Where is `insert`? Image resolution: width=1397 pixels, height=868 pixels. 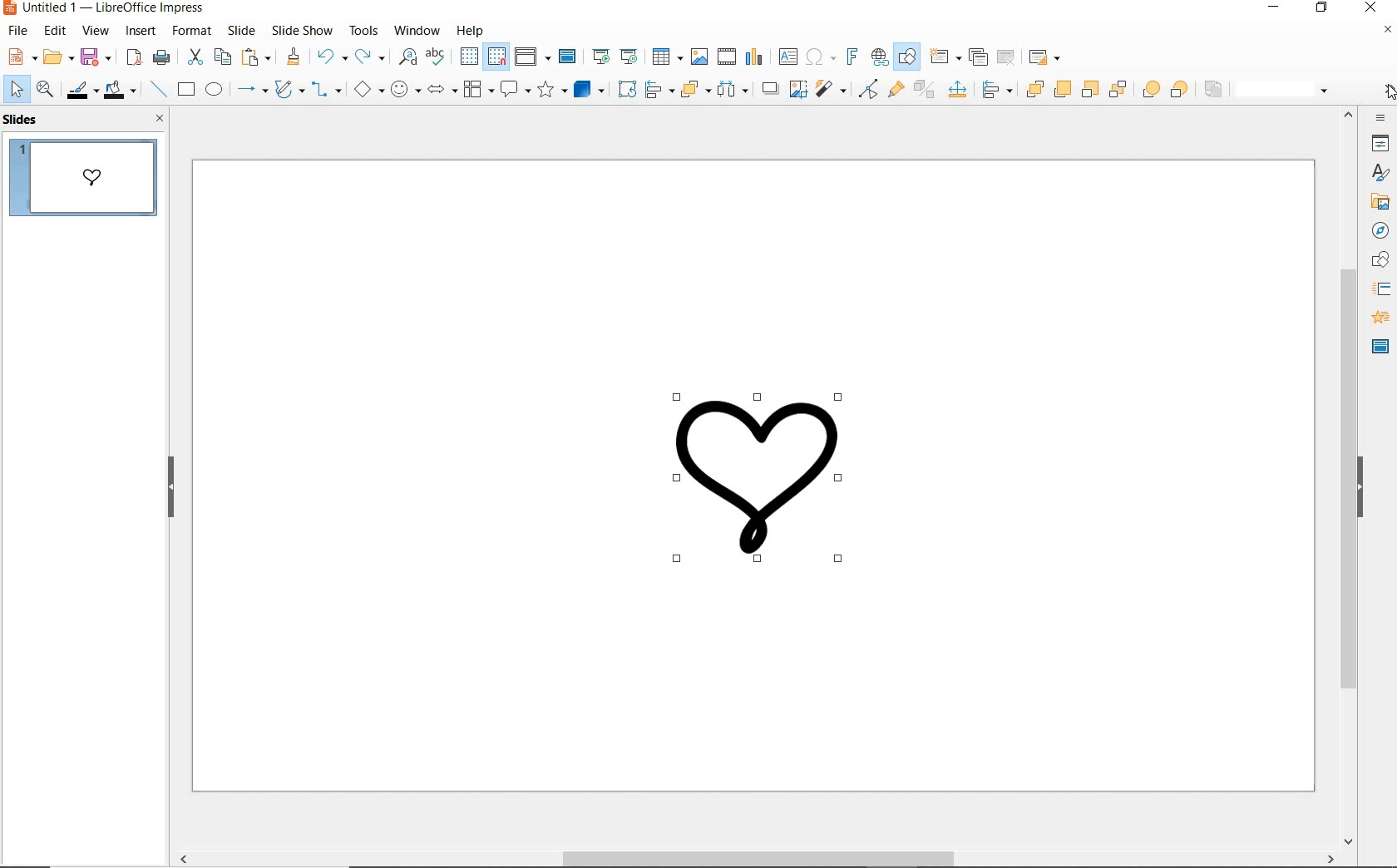 insert is located at coordinates (141, 33).